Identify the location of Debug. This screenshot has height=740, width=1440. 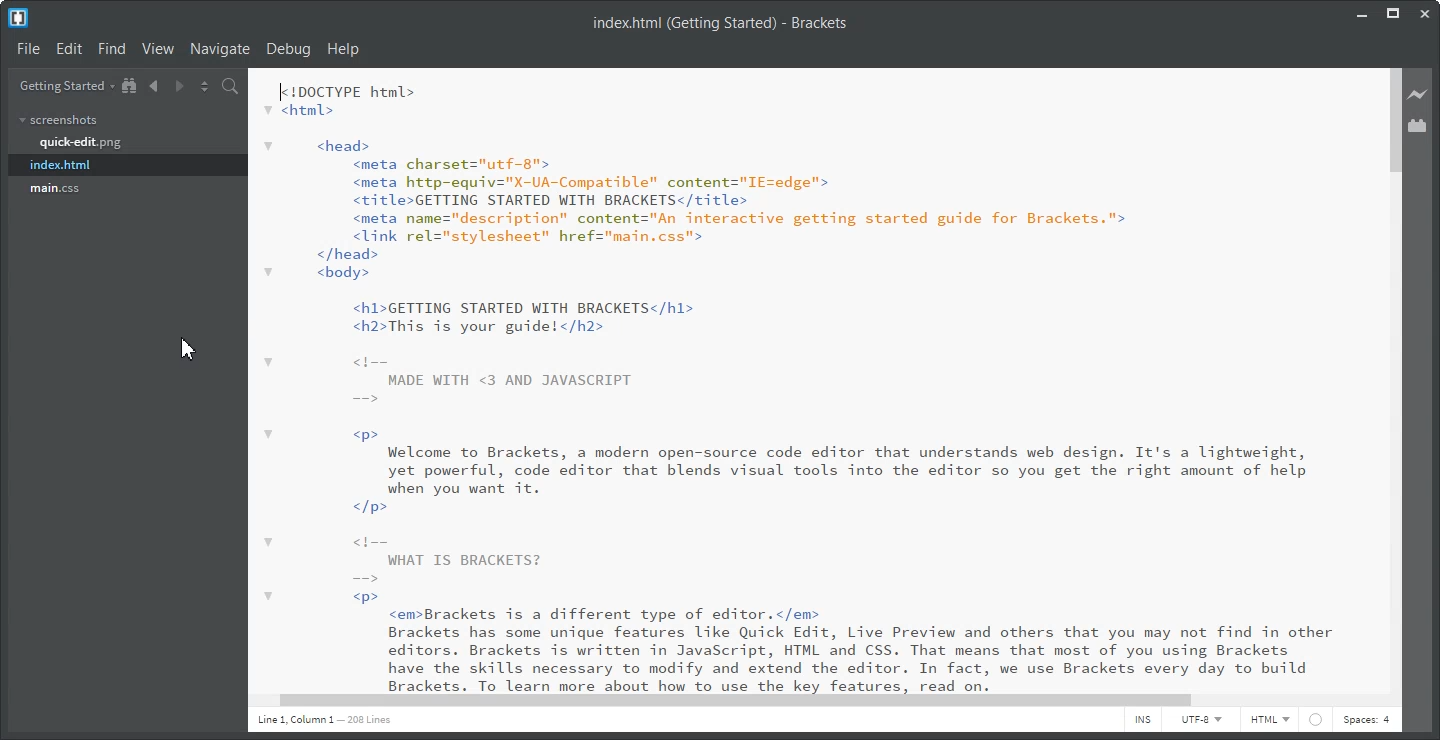
(289, 50).